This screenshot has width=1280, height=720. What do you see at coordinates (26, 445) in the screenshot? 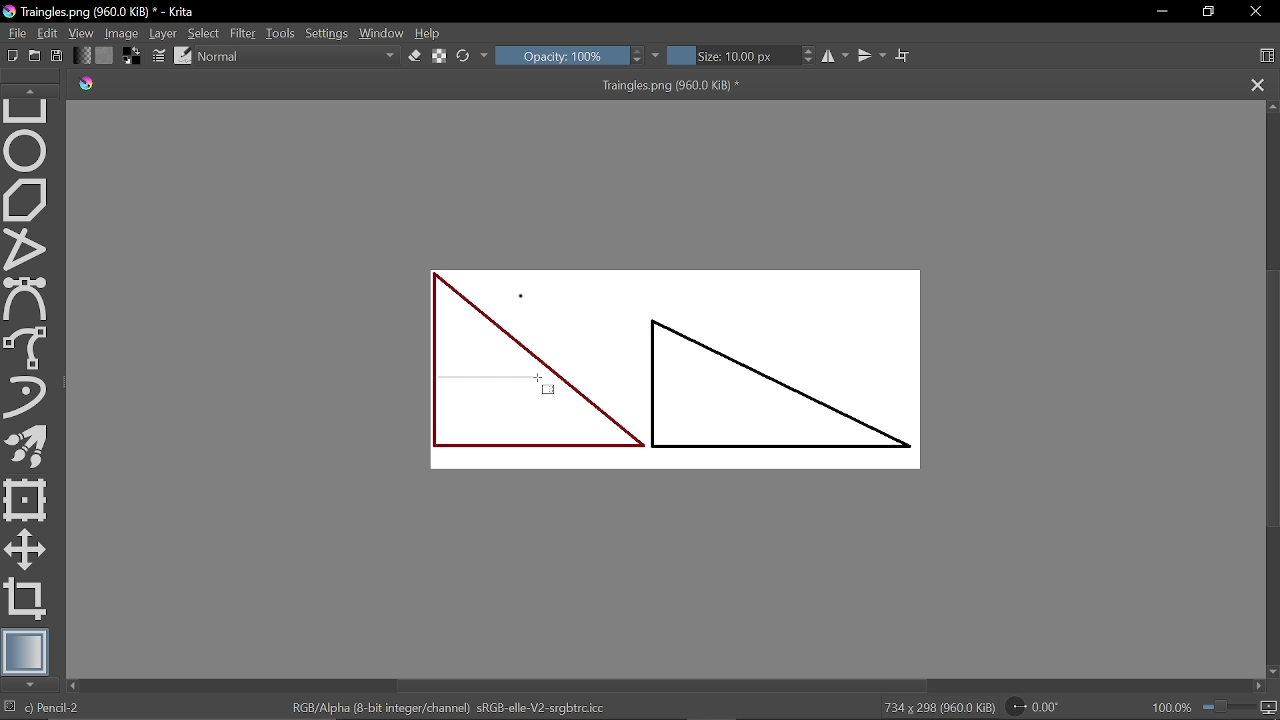
I see `Multibrush tool` at bounding box center [26, 445].